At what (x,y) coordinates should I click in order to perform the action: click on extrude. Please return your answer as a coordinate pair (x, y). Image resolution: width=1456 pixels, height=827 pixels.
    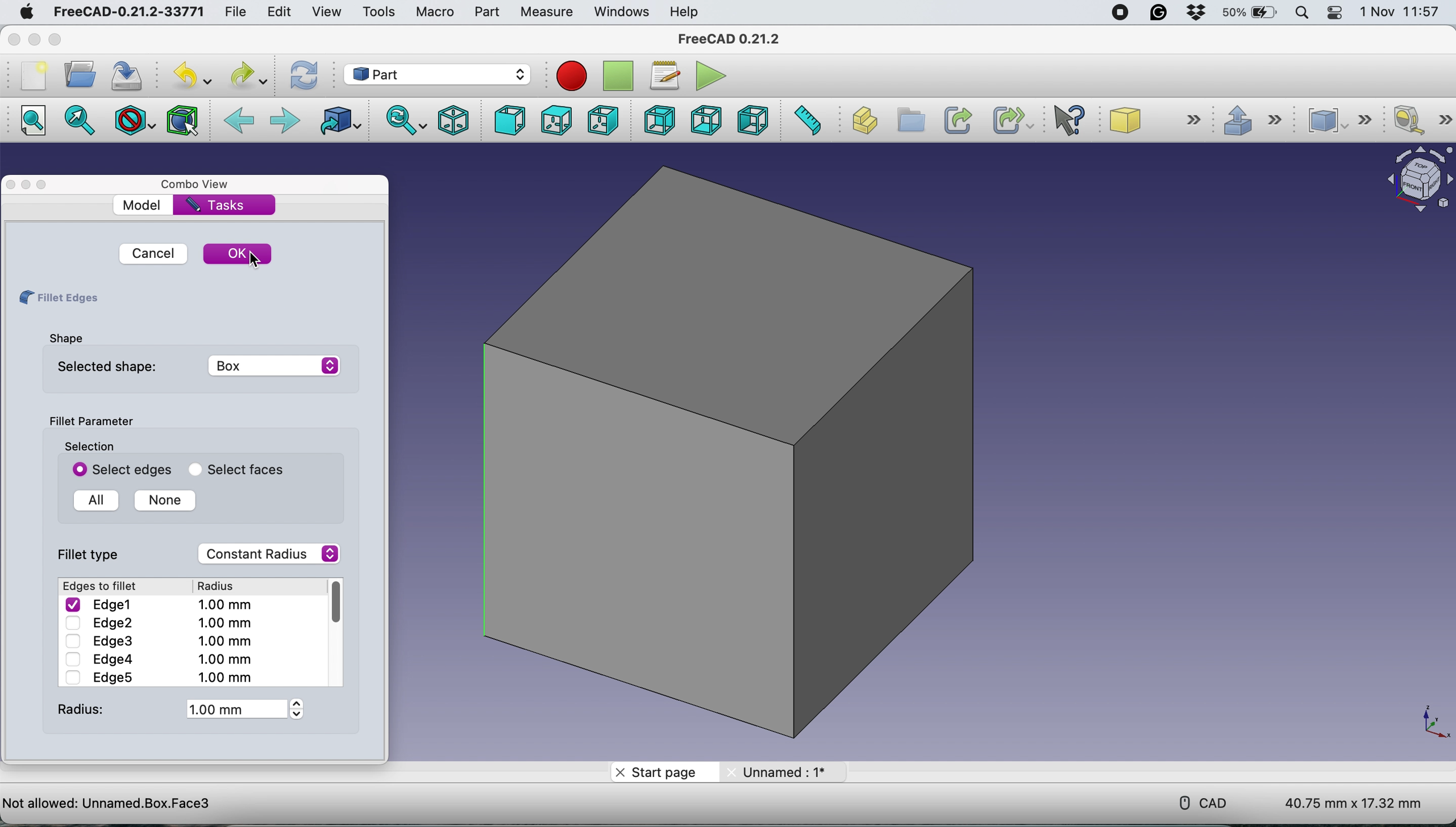
    Looking at the image, I should click on (1248, 118).